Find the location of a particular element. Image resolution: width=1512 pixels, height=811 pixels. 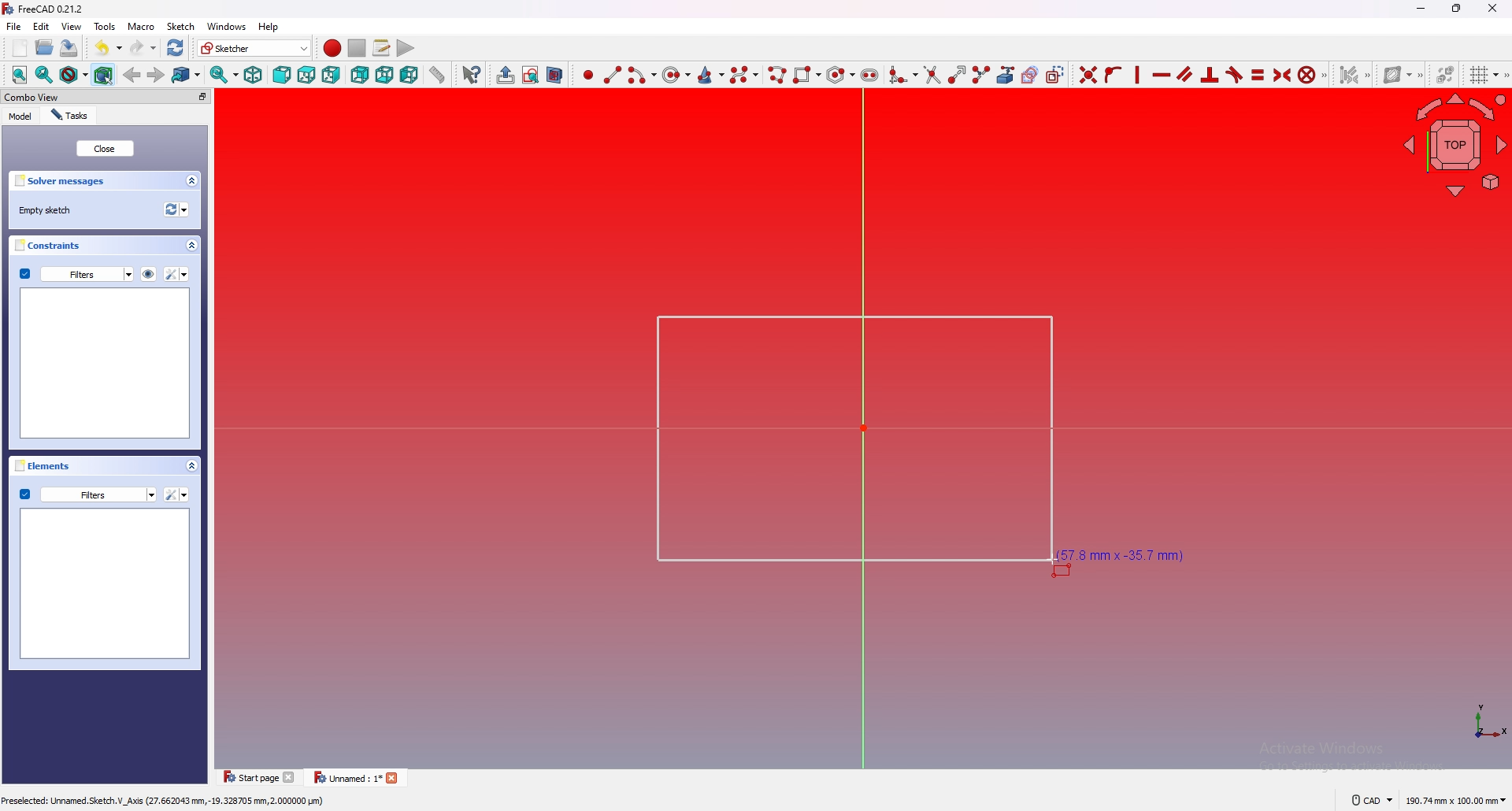

elements is located at coordinates (39, 465).